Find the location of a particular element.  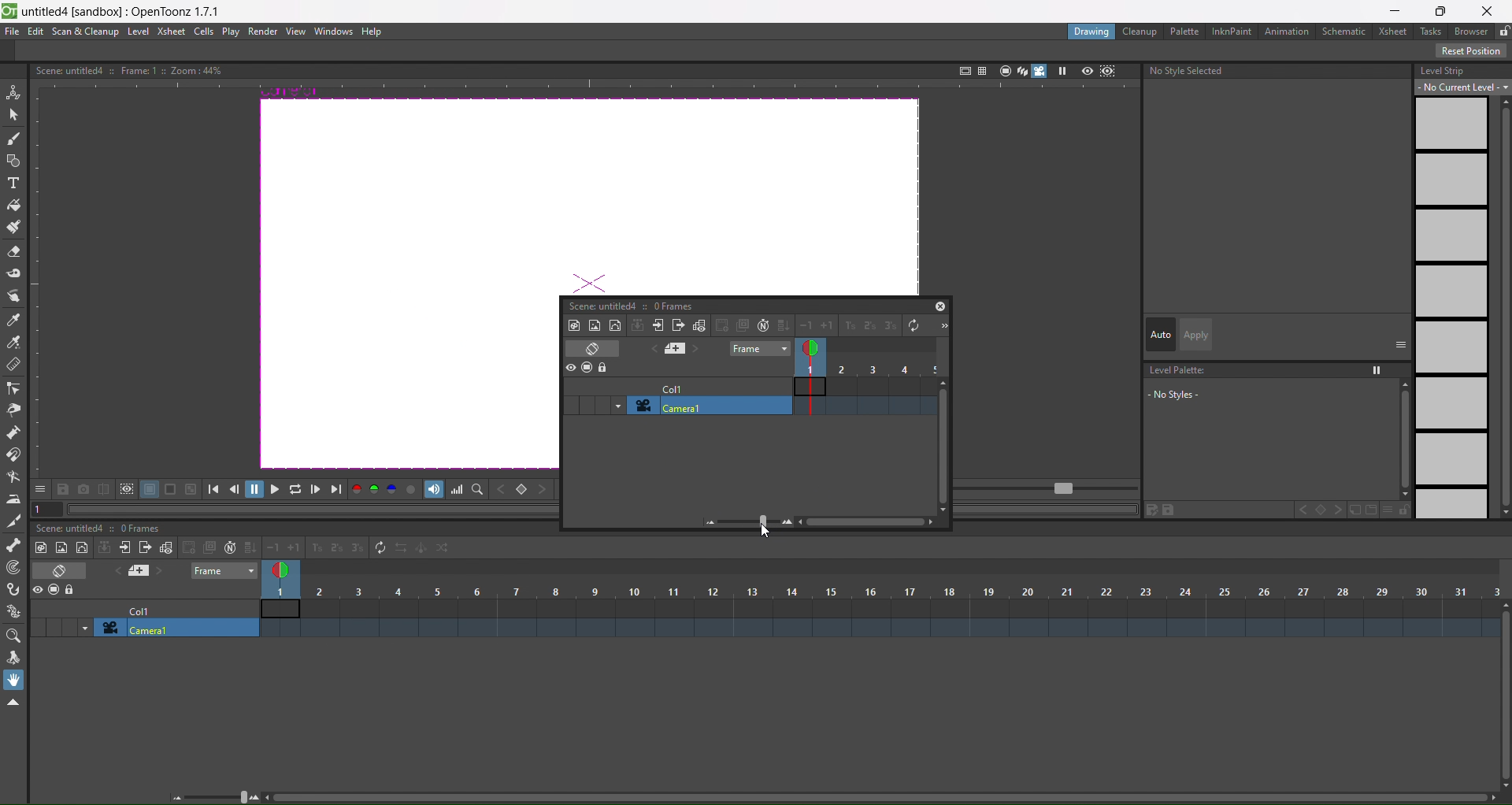

 is located at coordinates (676, 350).